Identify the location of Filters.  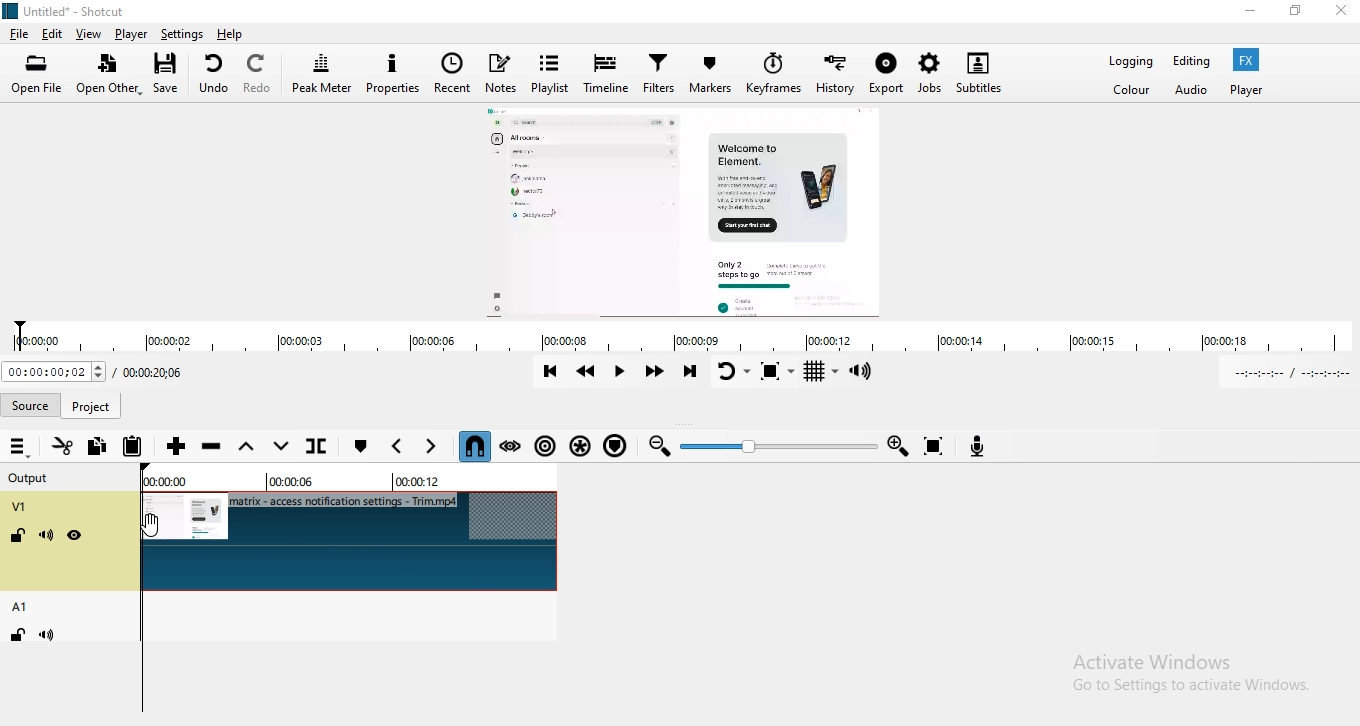
(660, 72).